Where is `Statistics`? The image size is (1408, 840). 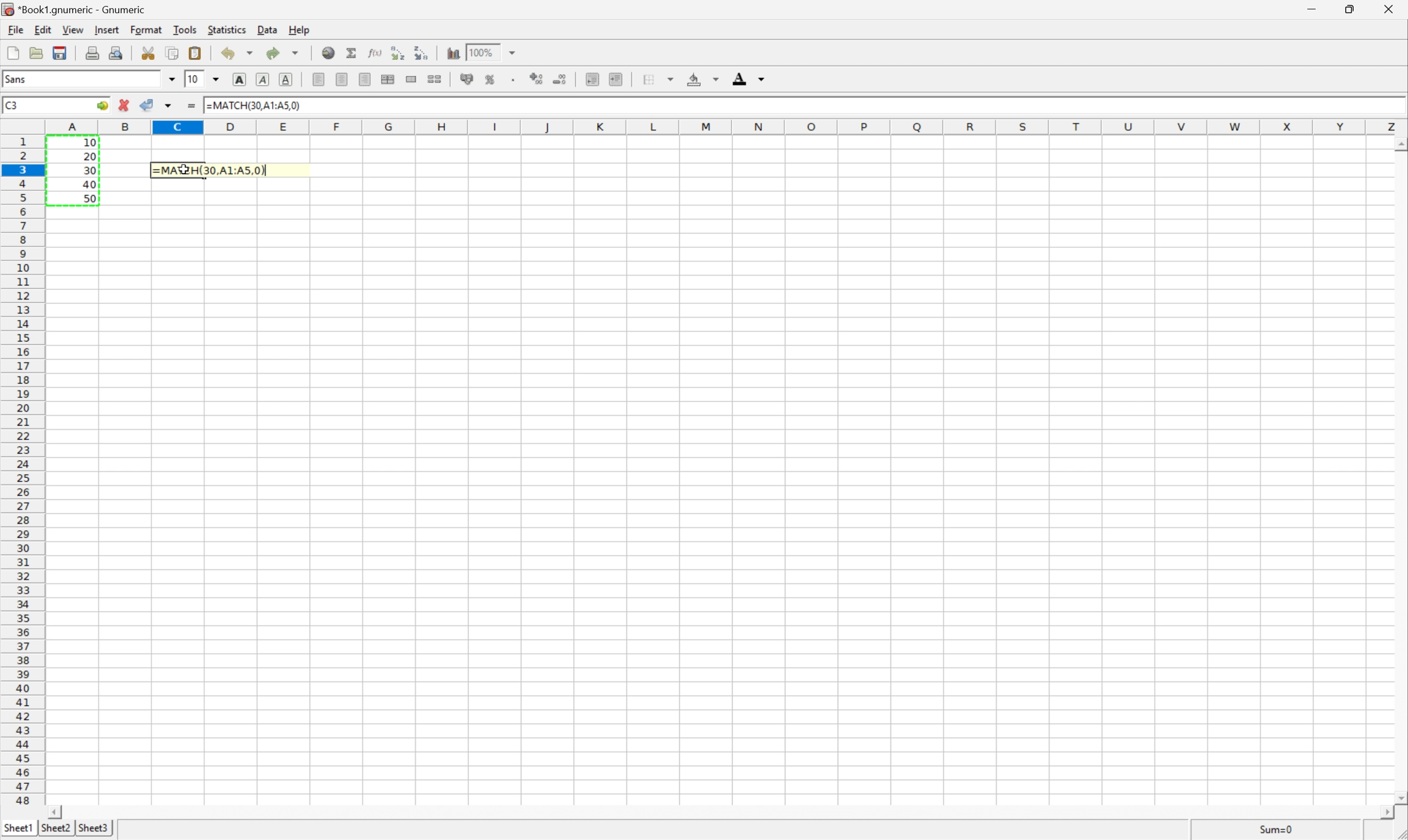
Statistics is located at coordinates (227, 29).